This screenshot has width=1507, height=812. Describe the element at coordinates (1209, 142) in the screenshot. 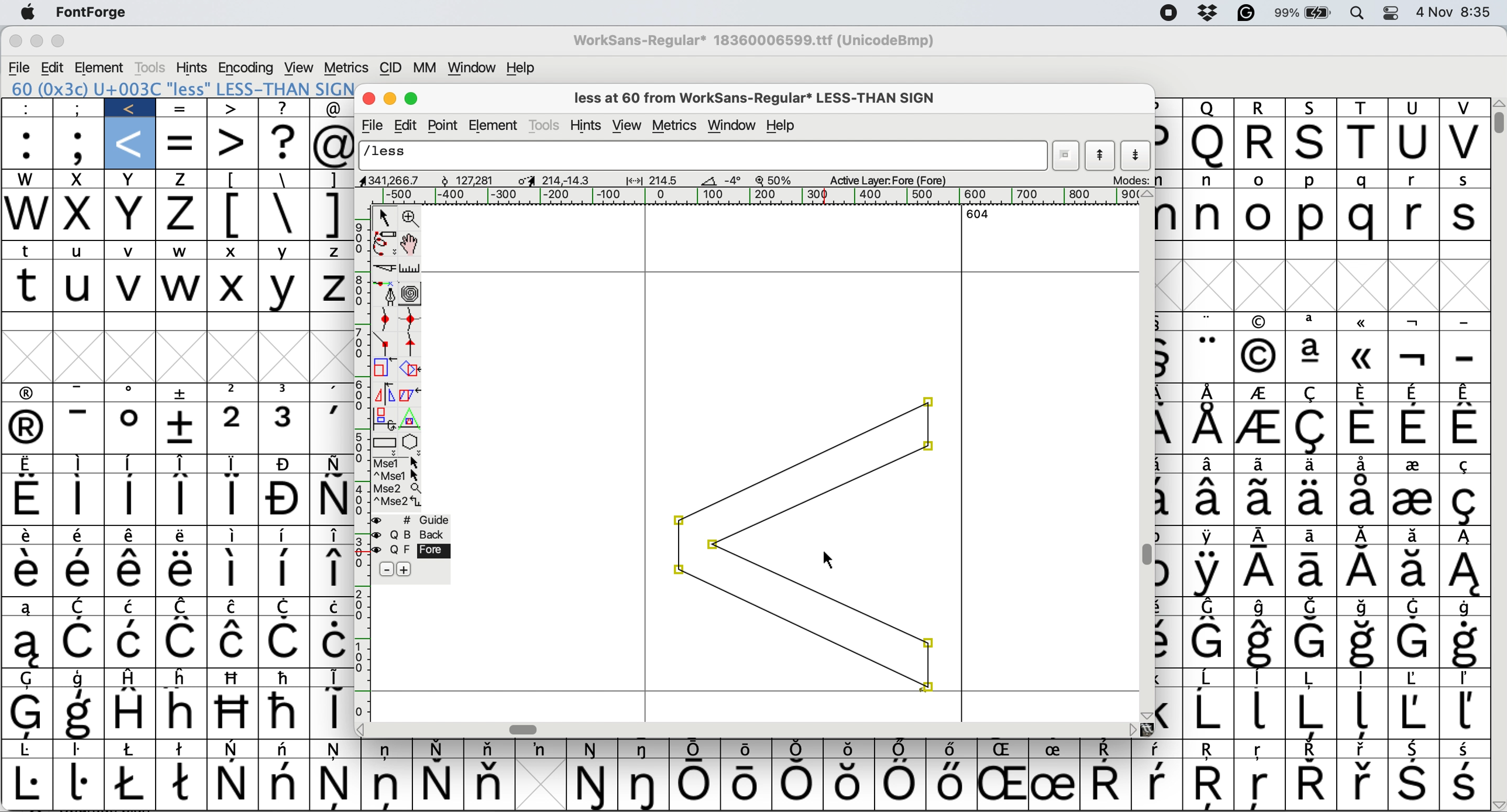

I see `q` at that location.